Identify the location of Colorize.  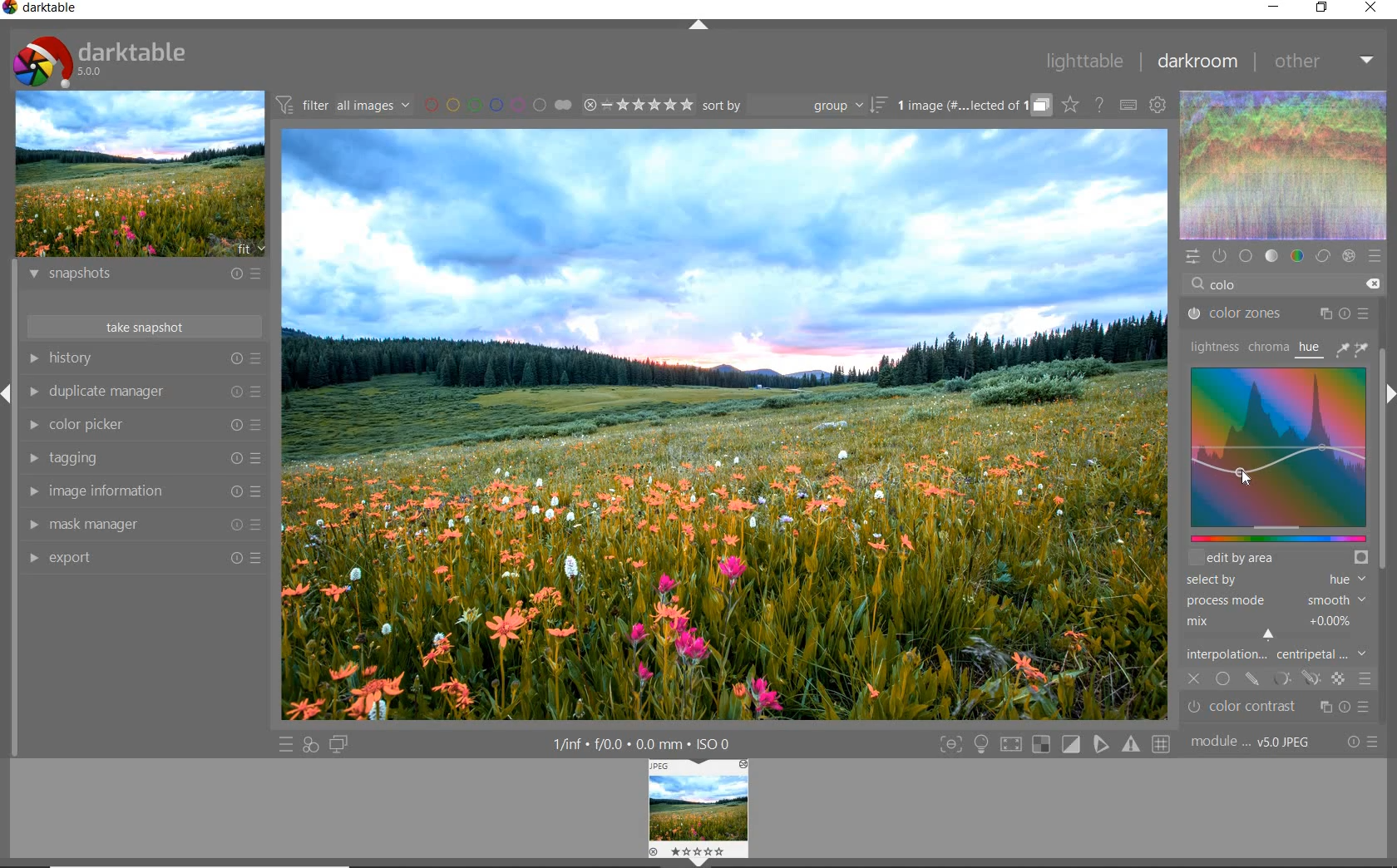
(1280, 461).